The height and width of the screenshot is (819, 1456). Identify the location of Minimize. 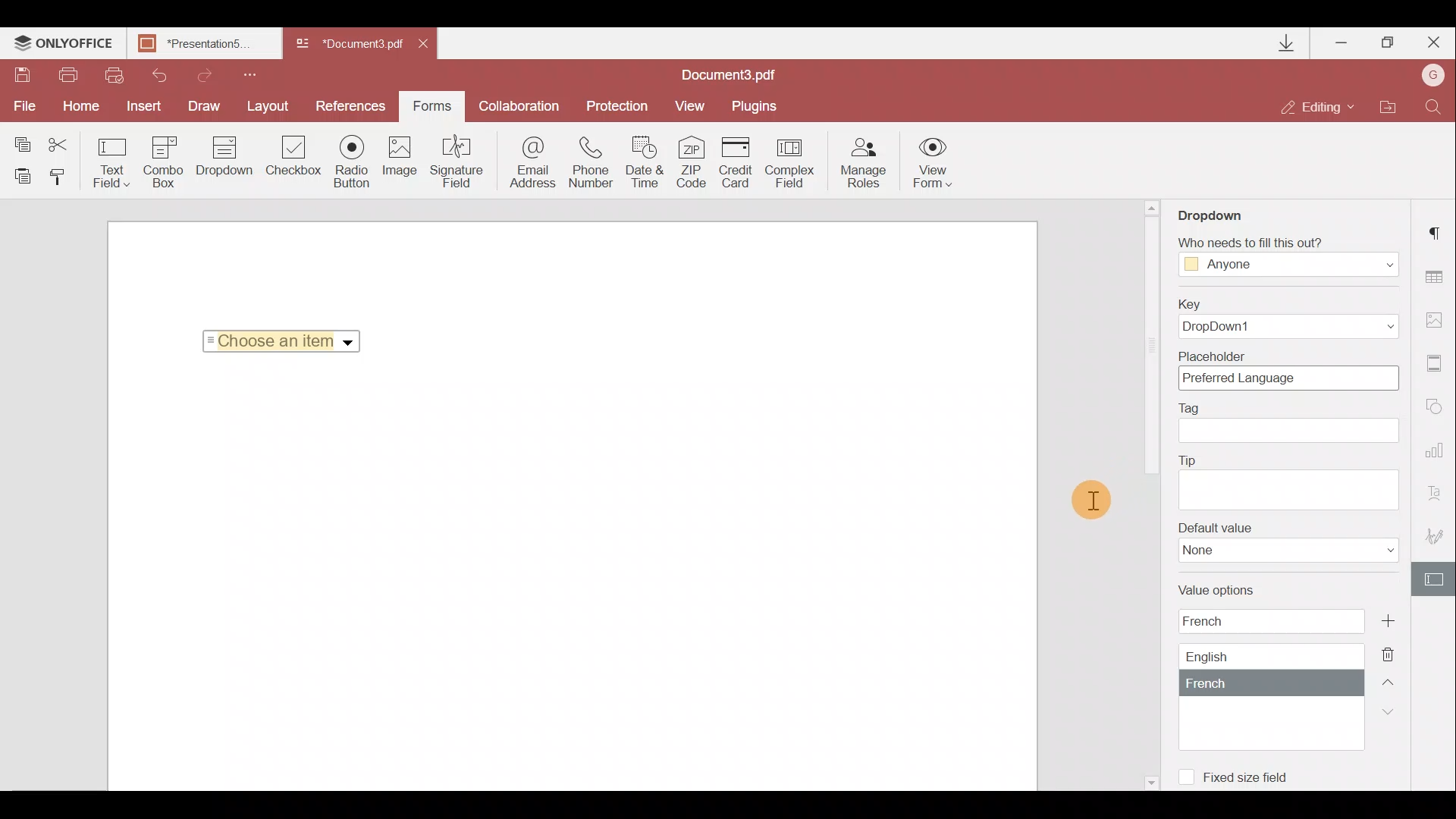
(1343, 39).